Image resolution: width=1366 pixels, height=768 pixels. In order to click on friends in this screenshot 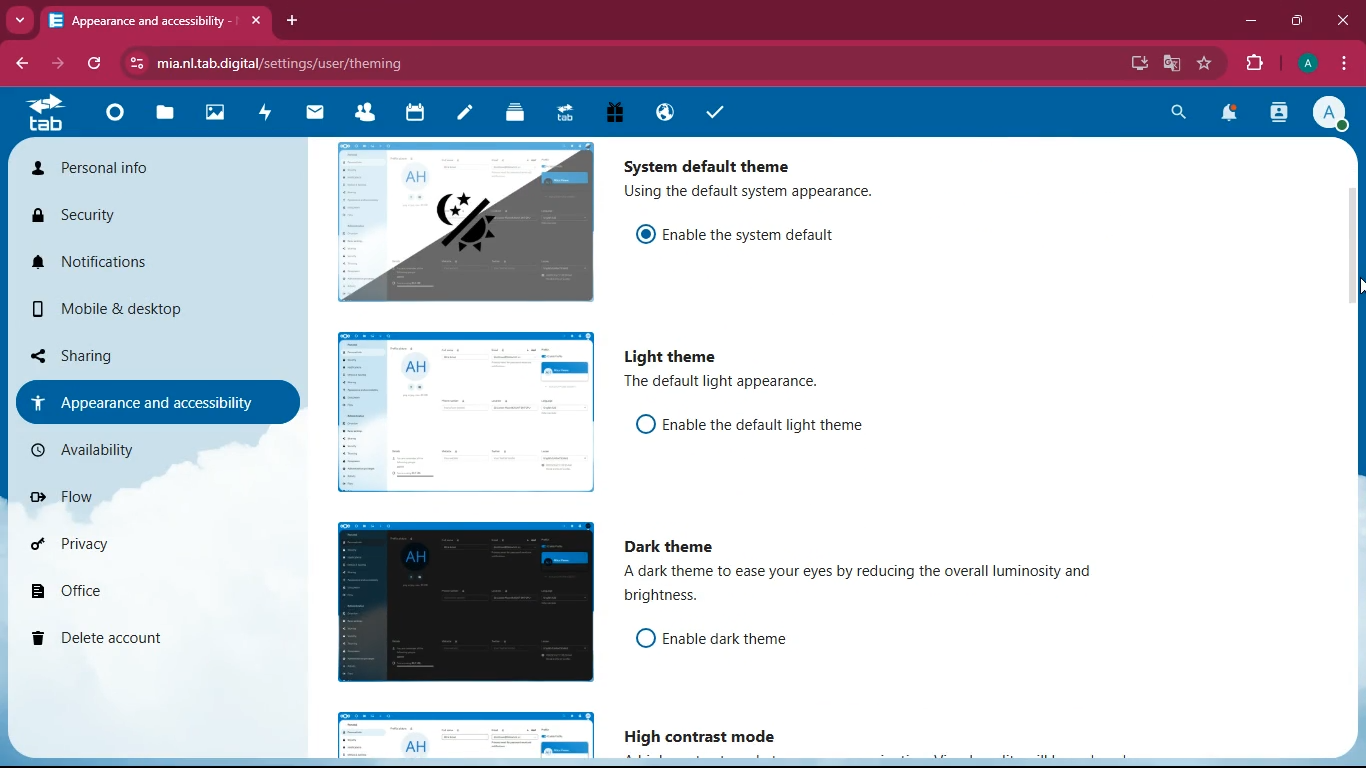, I will do `click(369, 114)`.